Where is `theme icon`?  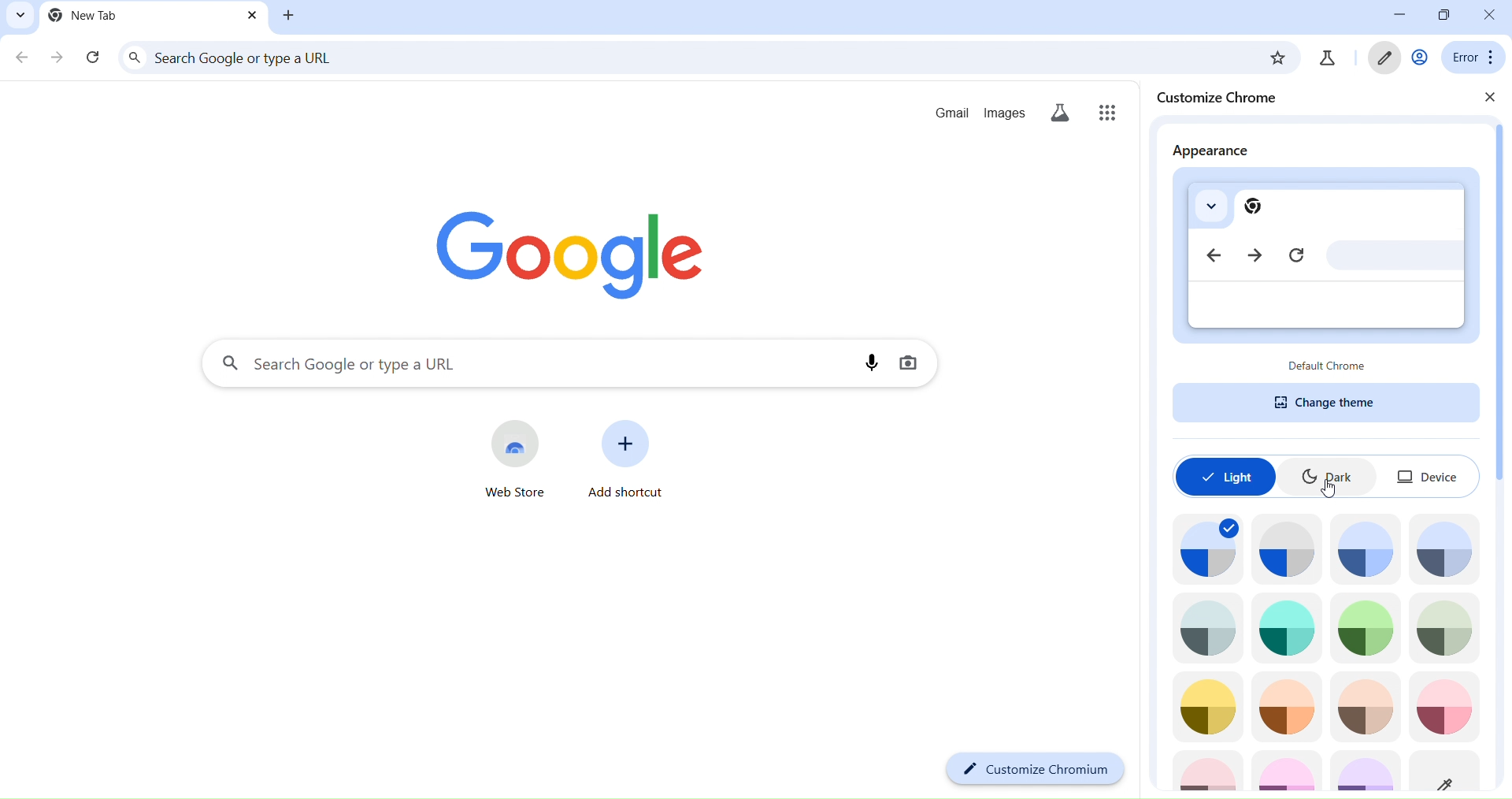
theme icon is located at coordinates (1286, 707).